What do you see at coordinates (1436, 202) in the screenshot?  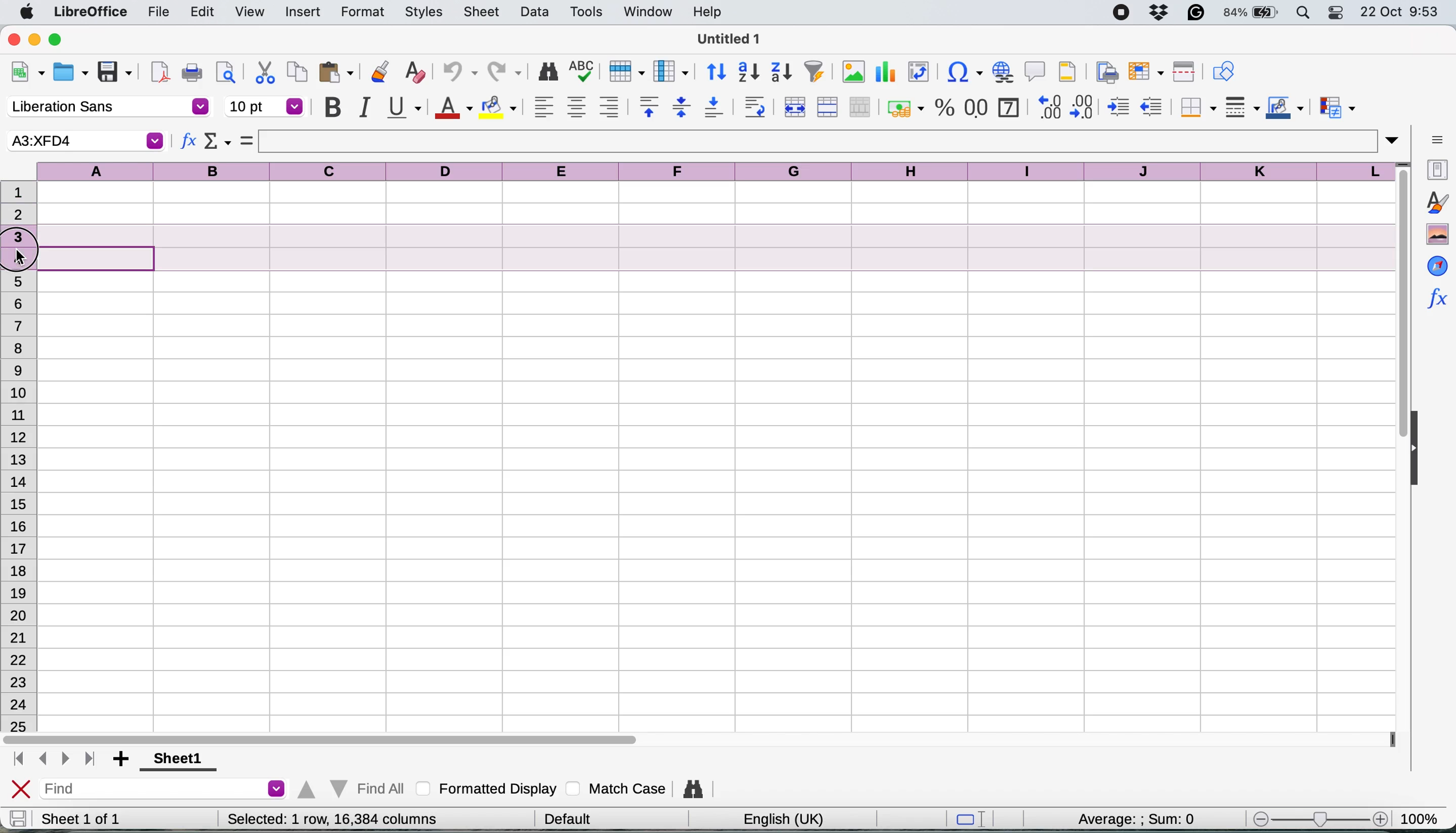 I see `styles` at bounding box center [1436, 202].